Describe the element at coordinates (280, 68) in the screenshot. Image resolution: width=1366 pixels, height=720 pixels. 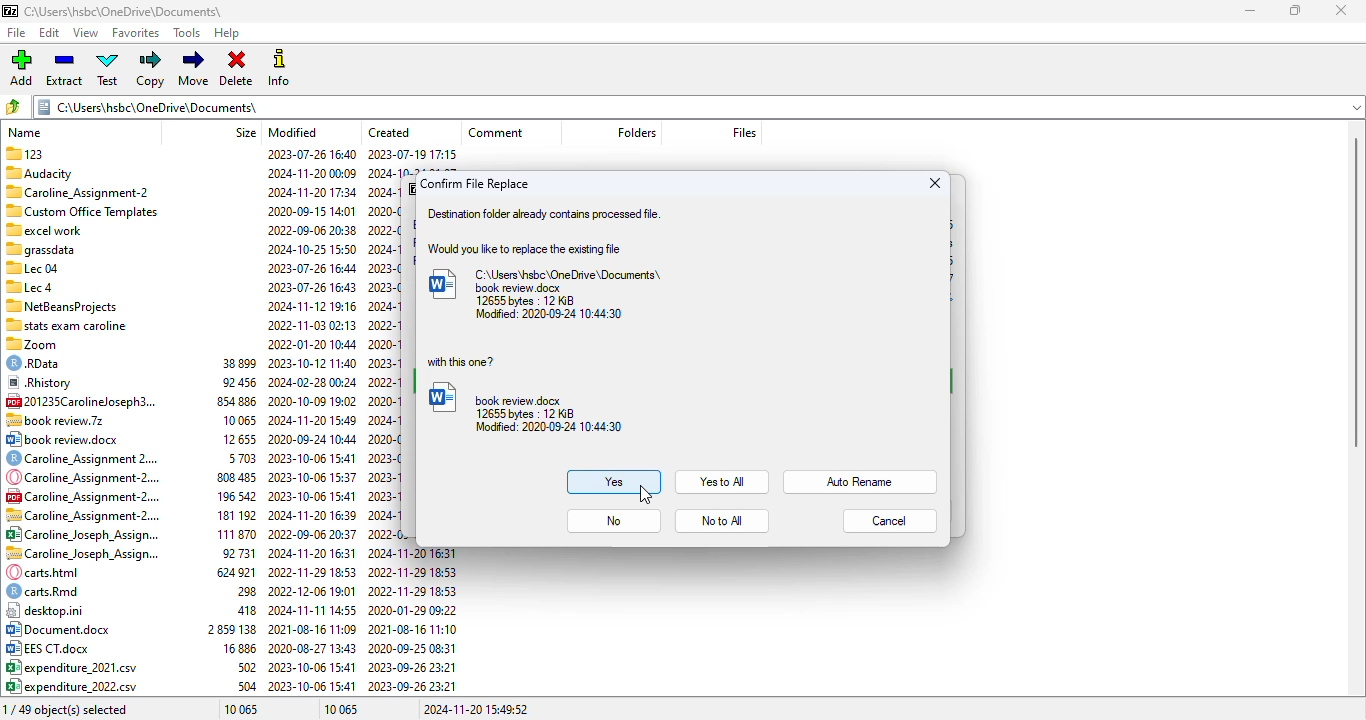
I see `info` at that location.